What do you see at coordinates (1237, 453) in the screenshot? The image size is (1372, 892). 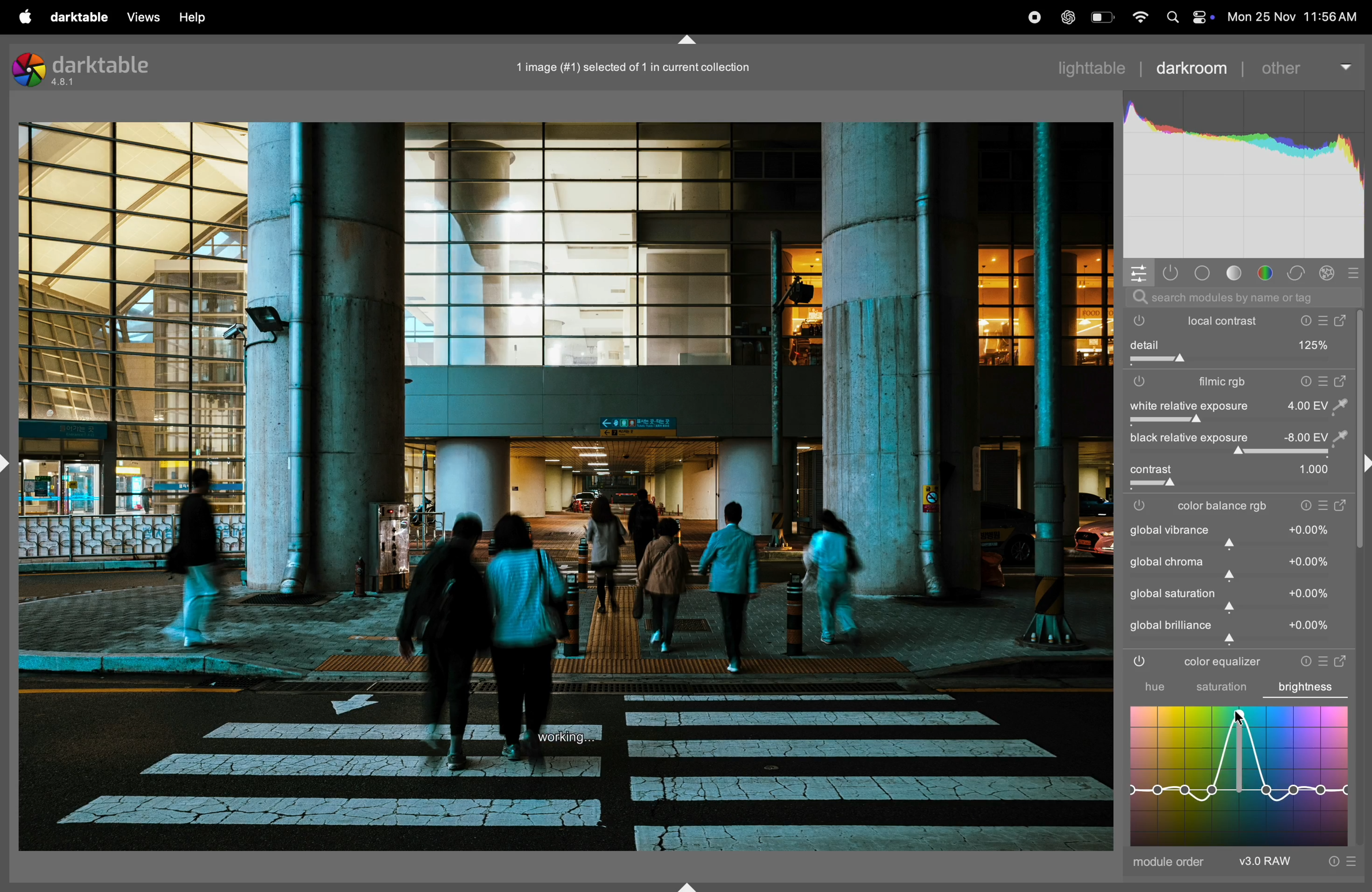 I see `toggle` at bounding box center [1237, 453].